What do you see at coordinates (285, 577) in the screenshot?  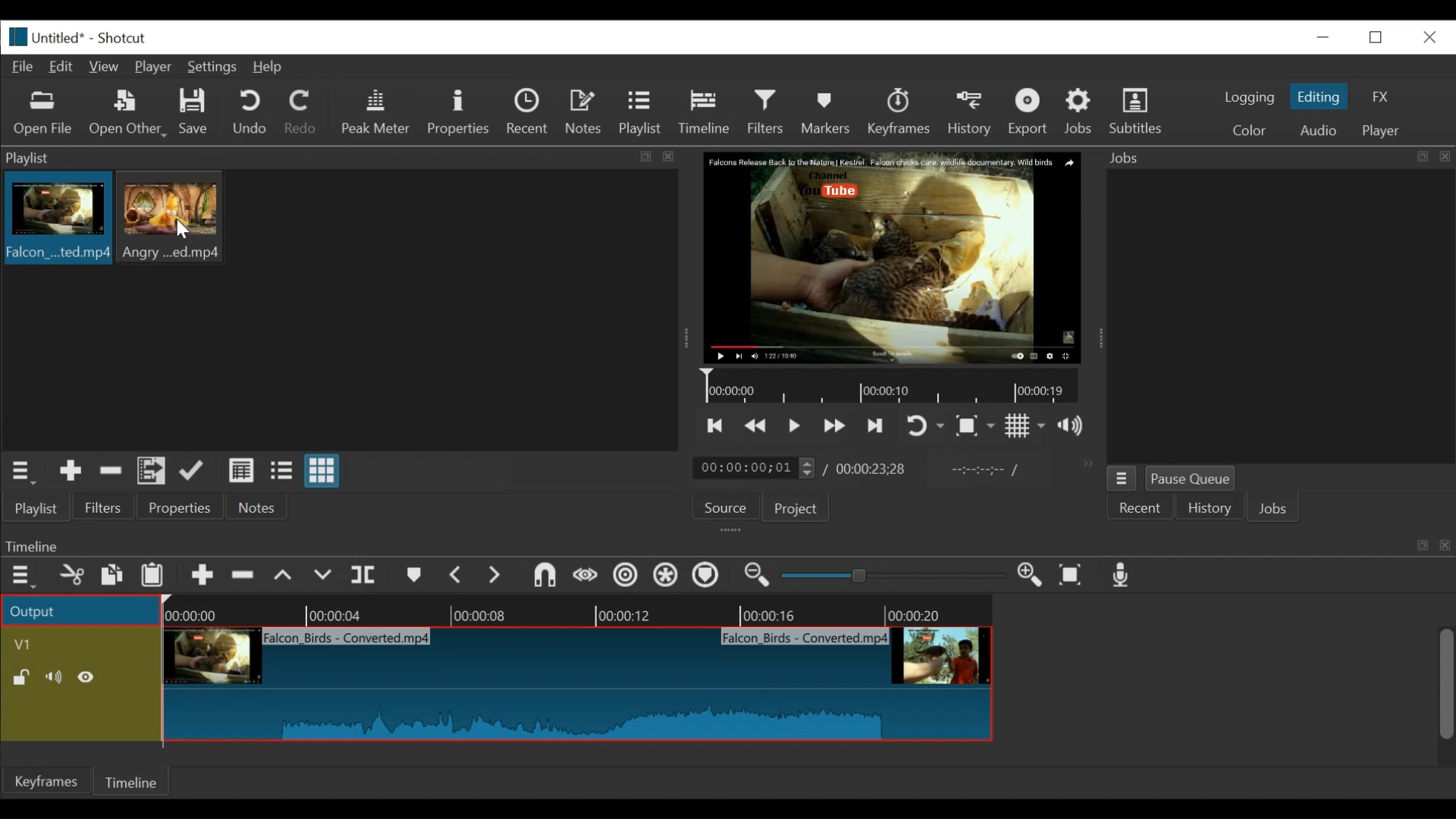 I see `lift` at bounding box center [285, 577].